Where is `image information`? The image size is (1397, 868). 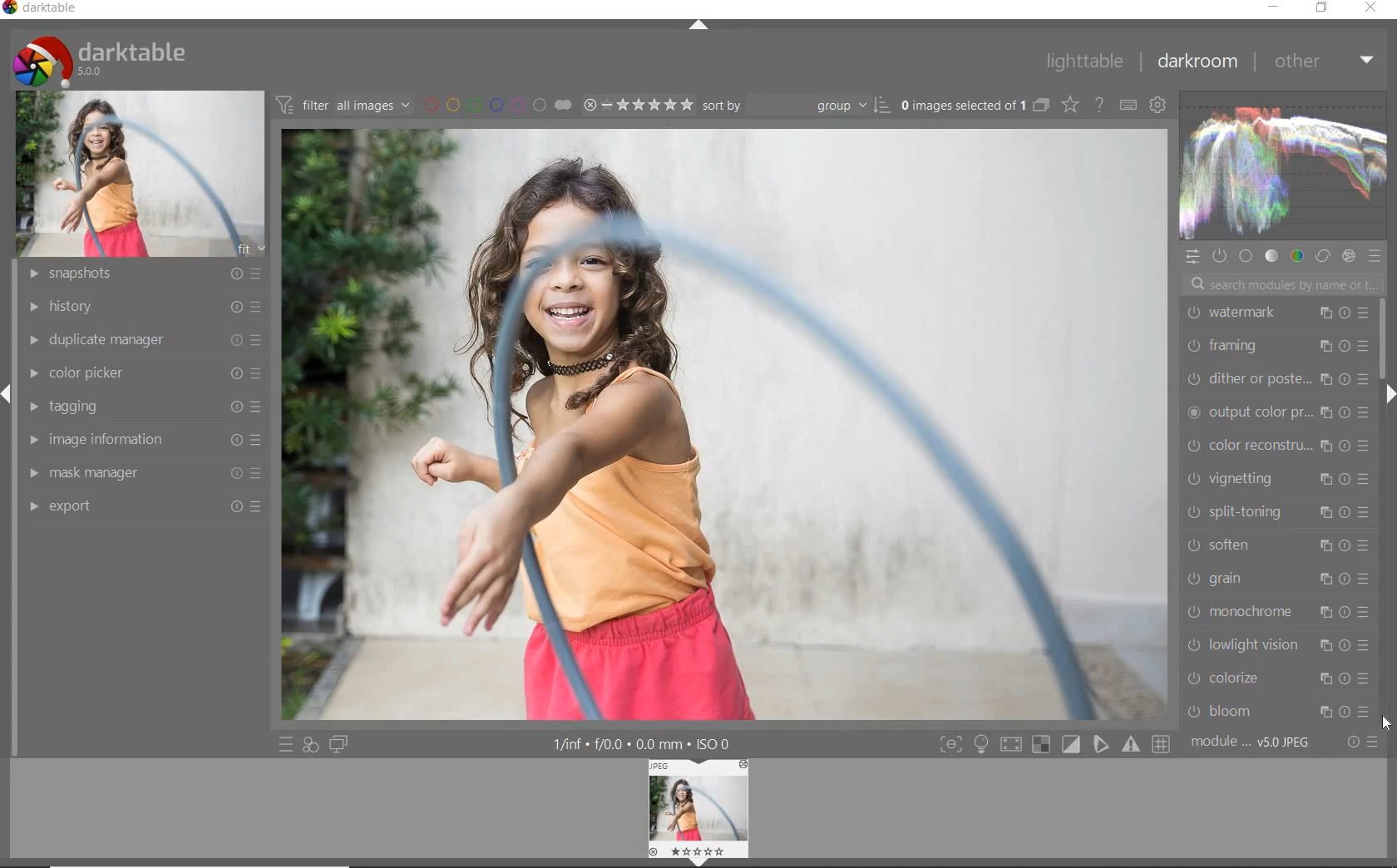
image information is located at coordinates (142, 439).